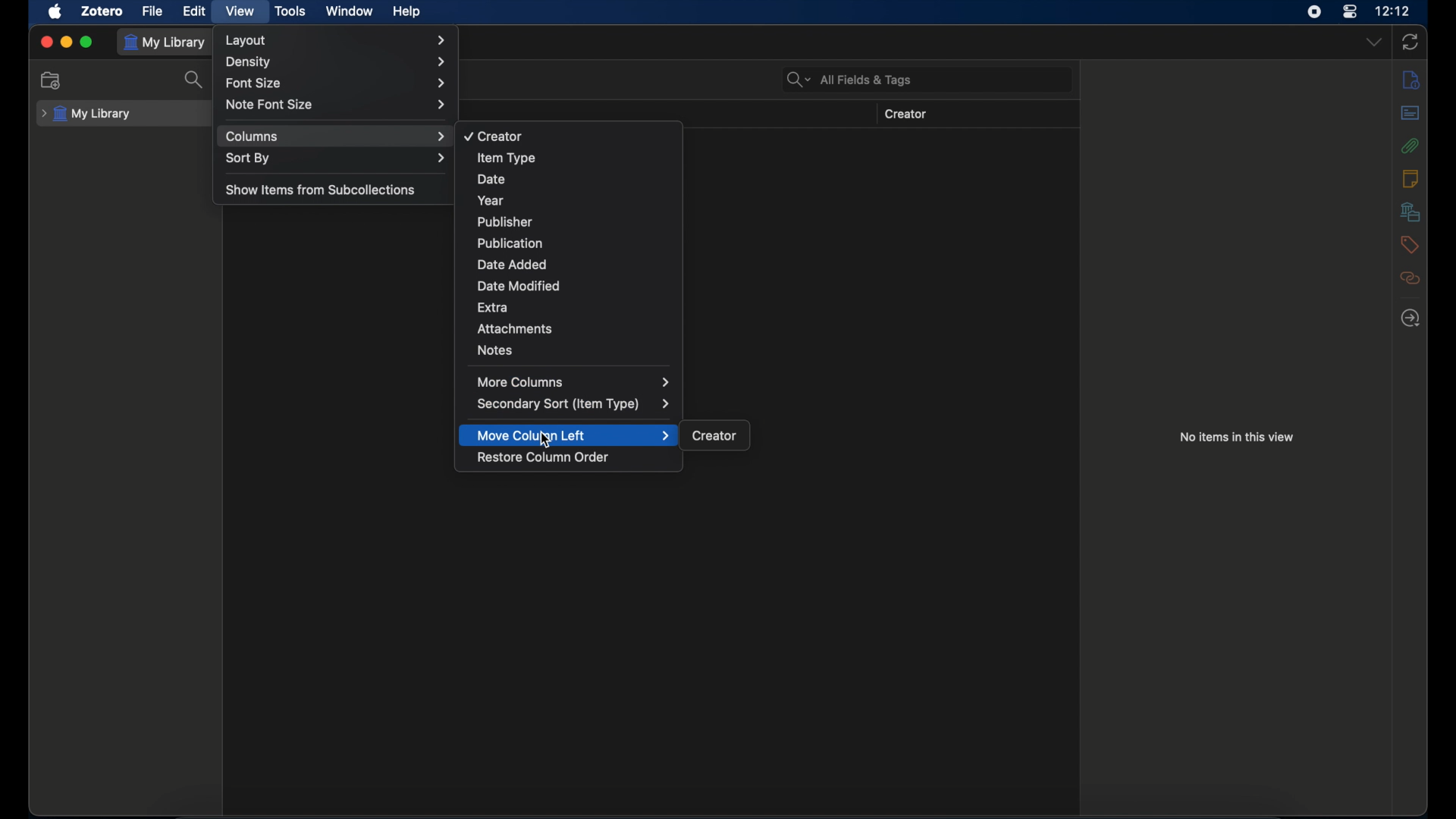 This screenshot has height=819, width=1456. Describe the element at coordinates (1411, 318) in the screenshot. I see `locate` at that location.